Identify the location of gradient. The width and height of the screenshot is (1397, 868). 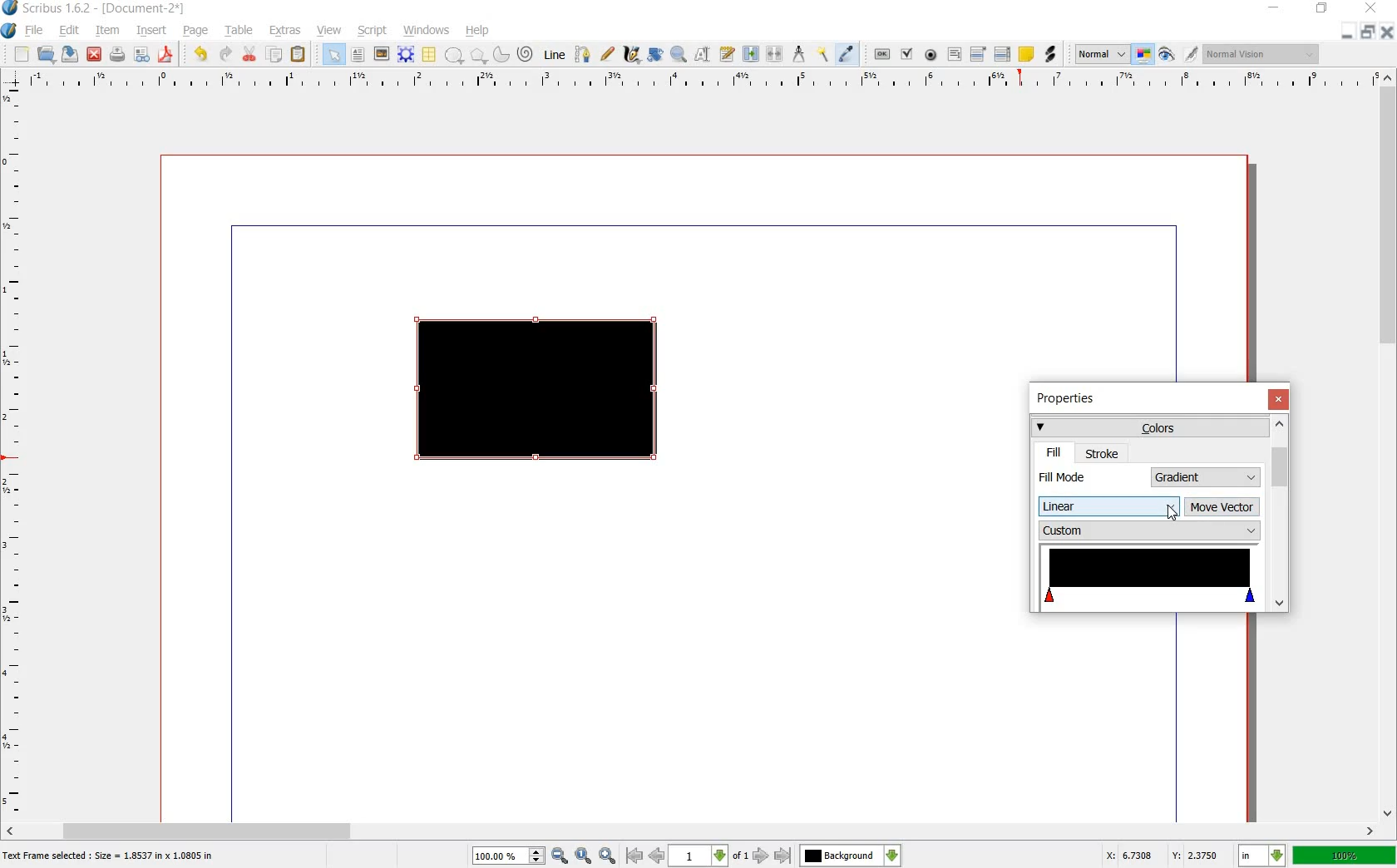
(1207, 477).